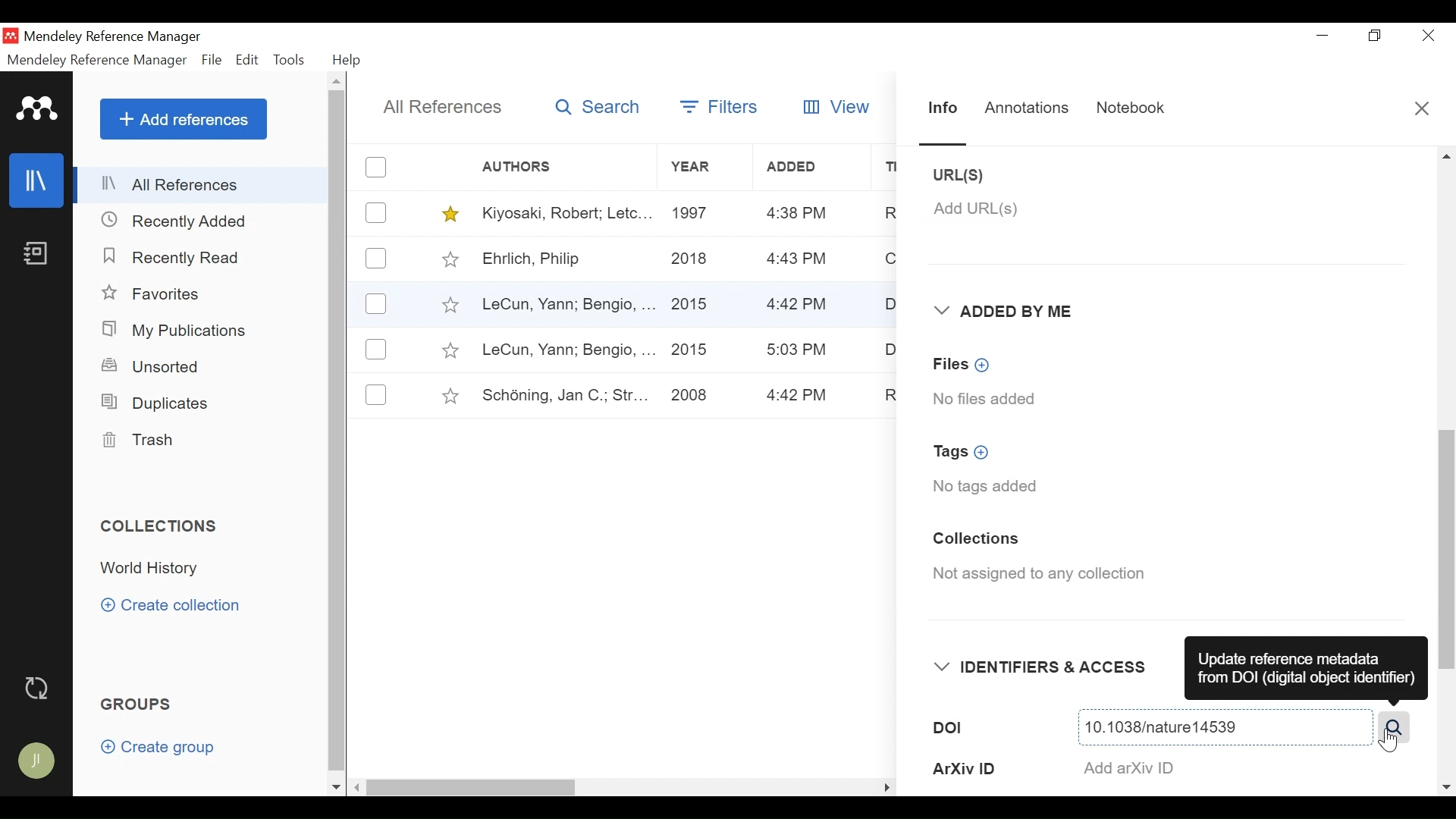 Image resolution: width=1456 pixels, height=819 pixels. Describe the element at coordinates (799, 306) in the screenshot. I see `4:43 PM` at that location.